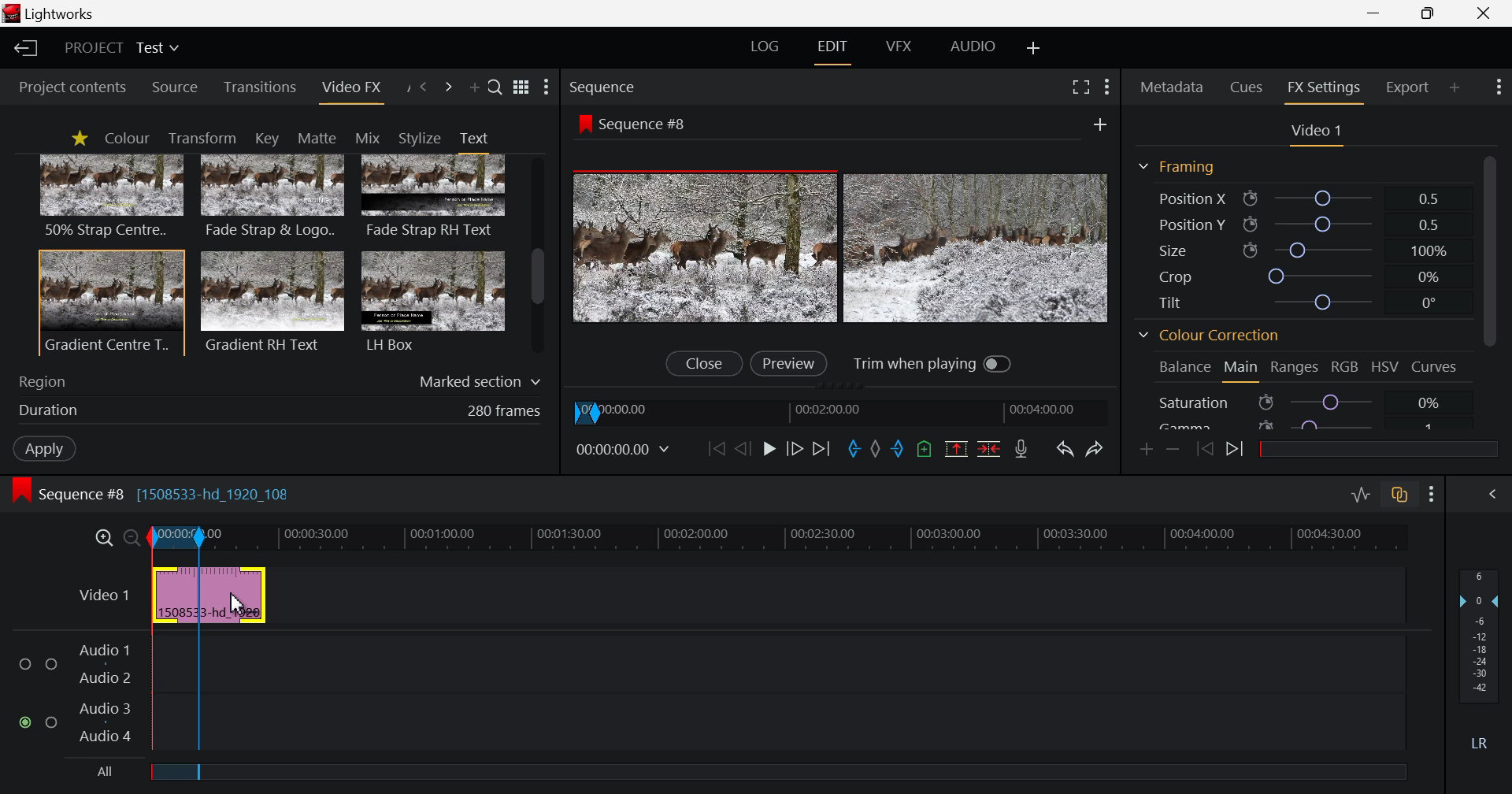 This screenshot has width=1512, height=794. Describe the element at coordinates (104, 648) in the screenshot. I see `audio 1` at that location.